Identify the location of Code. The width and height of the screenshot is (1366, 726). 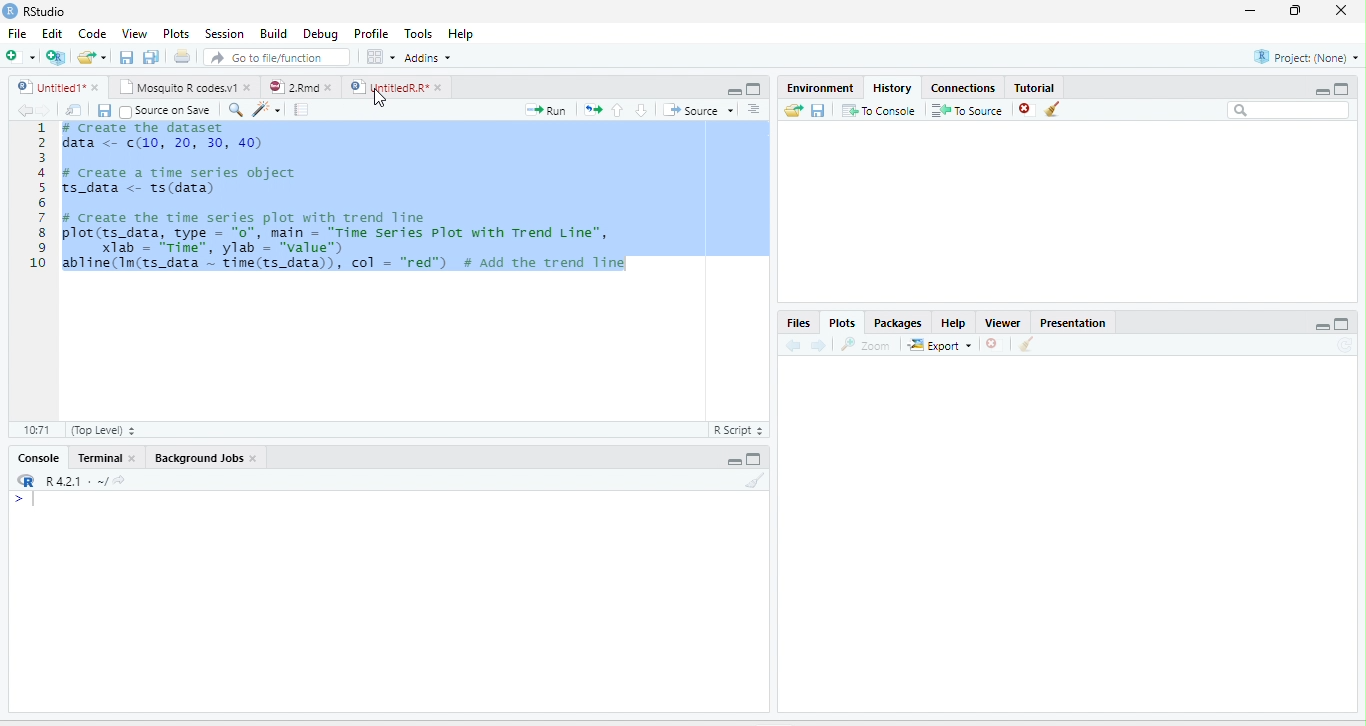
(93, 33).